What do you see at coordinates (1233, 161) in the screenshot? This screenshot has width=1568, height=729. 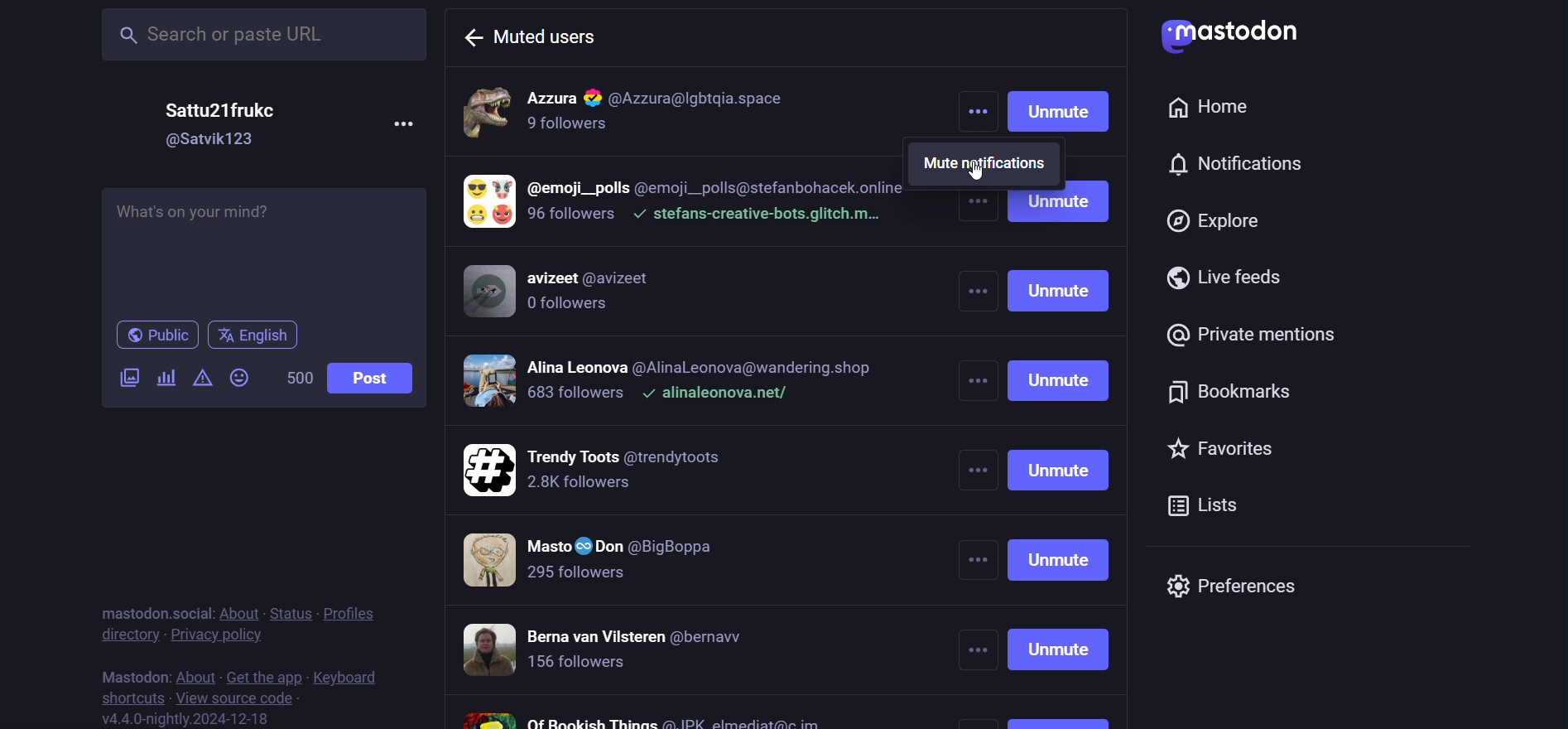 I see `notification` at bounding box center [1233, 161].